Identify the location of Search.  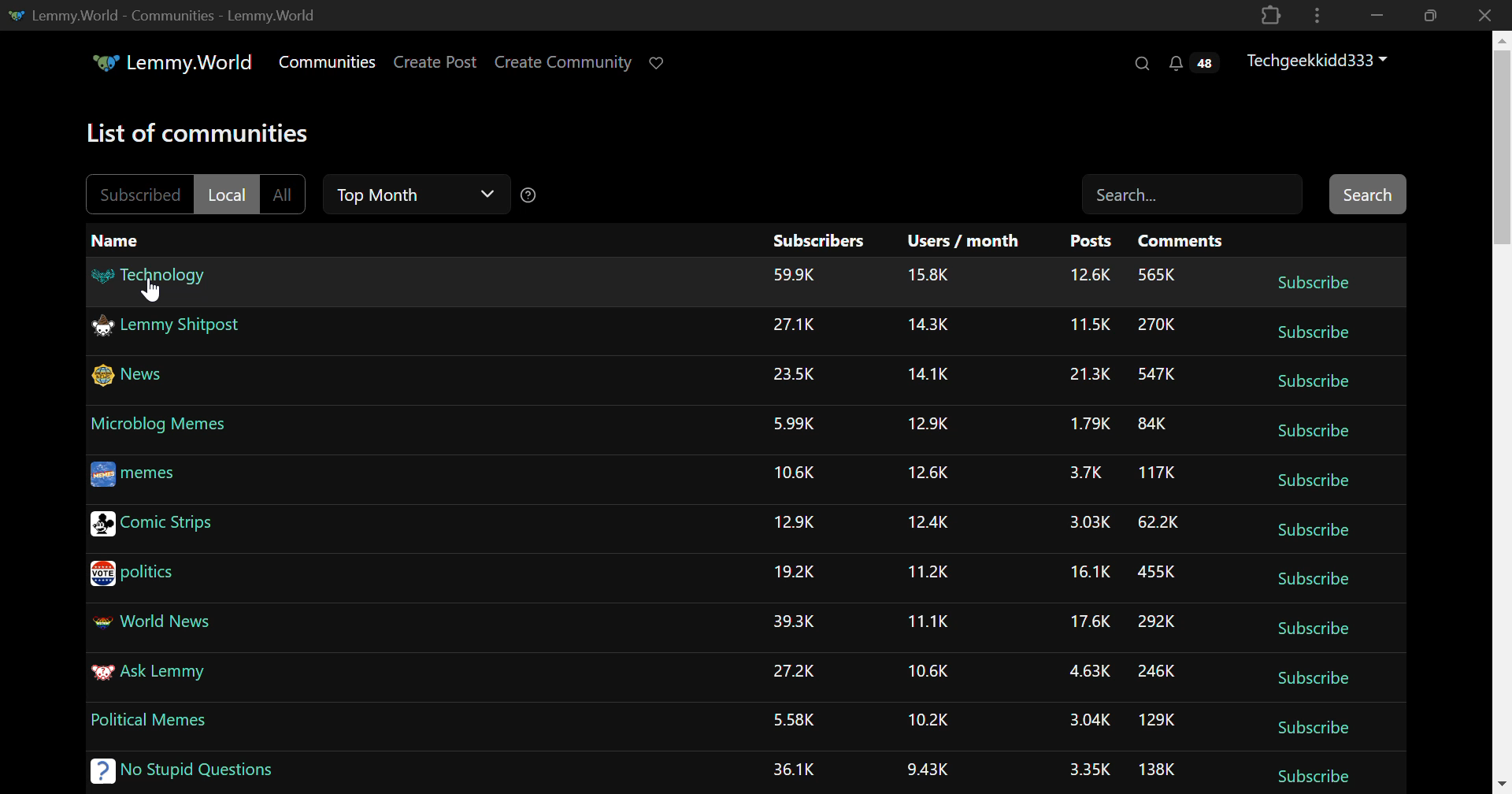
(1144, 65).